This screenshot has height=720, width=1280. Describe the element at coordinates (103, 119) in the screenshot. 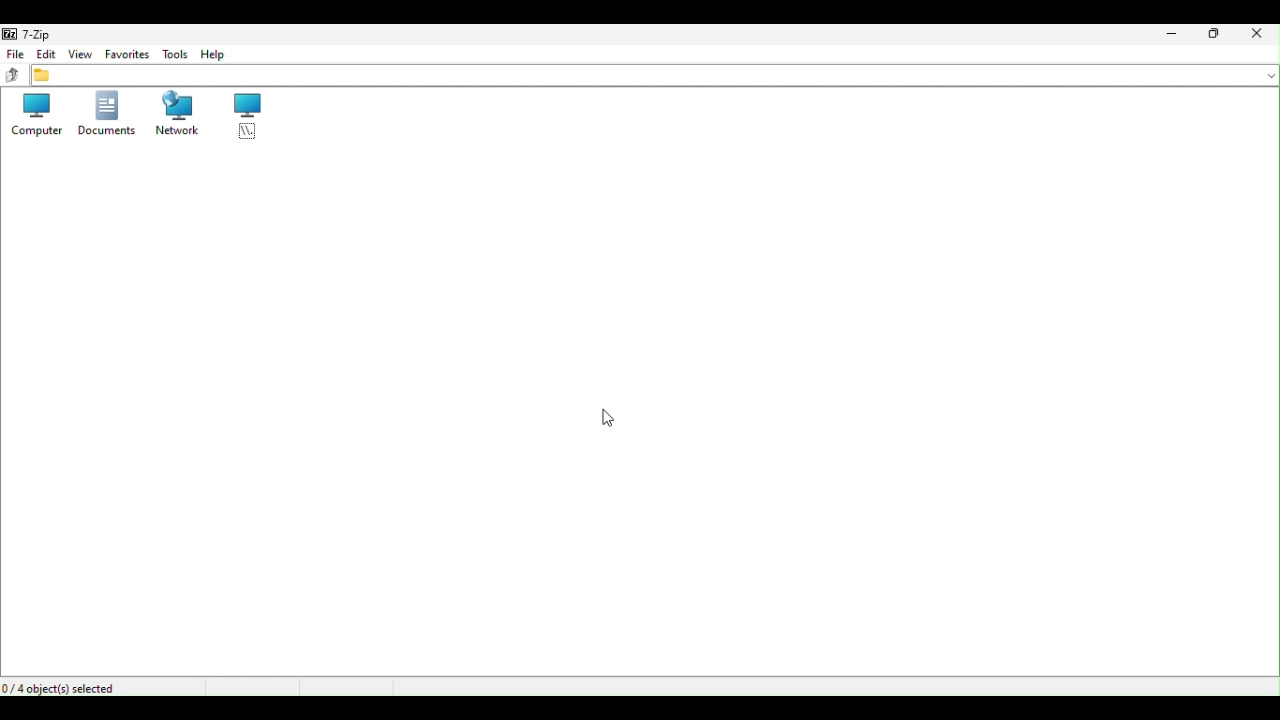

I see `Documents` at that location.